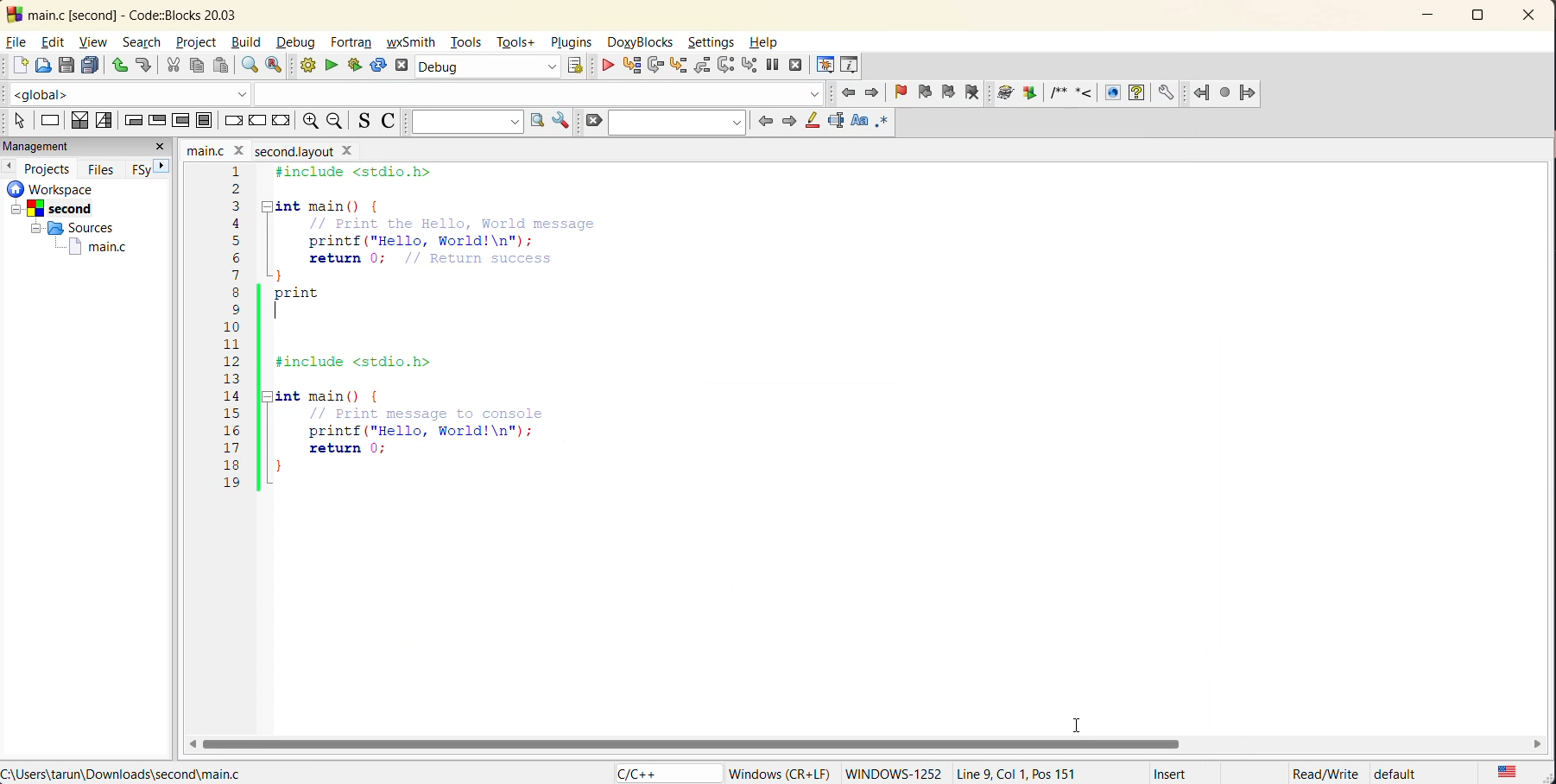 Image resolution: width=1556 pixels, height=784 pixels. Describe the element at coordinates (851, 93) in the screenshot. I see `jump back` at that location.